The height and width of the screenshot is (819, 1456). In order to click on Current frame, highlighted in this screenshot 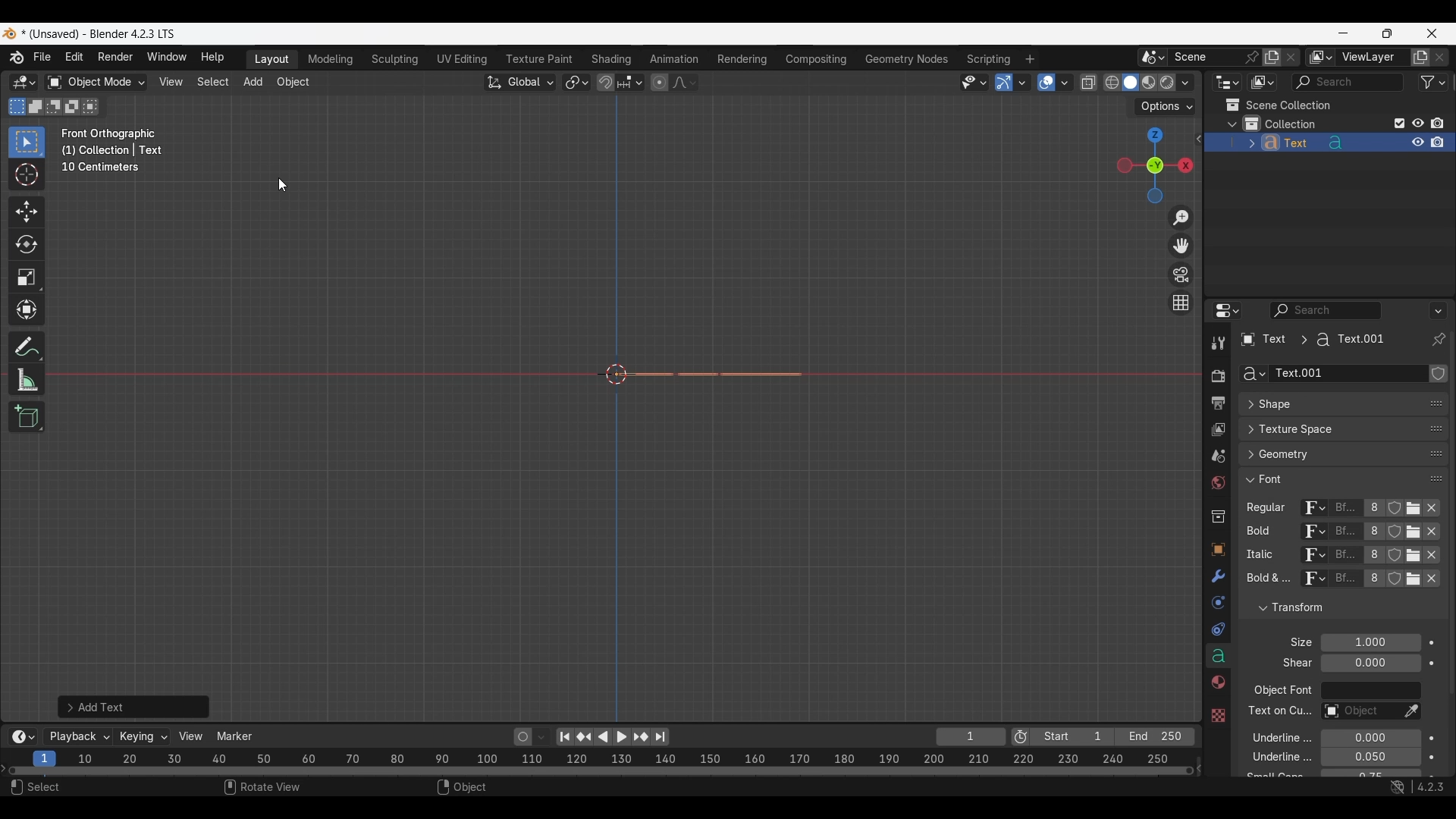, I will do `click(45, 756)`.